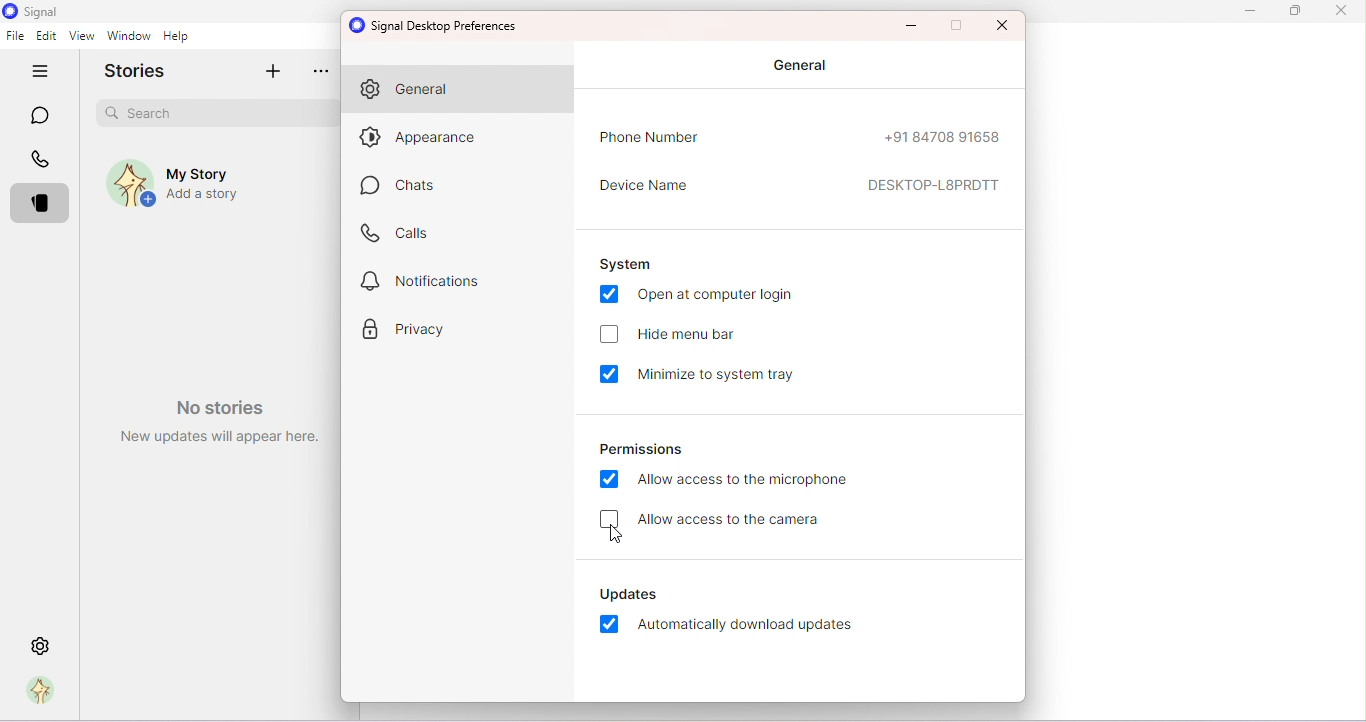 The height and width of the screenshot is (722, 1366). What do you see at coordinates (700, 300) in the screenshot?
I see `Open at computer login` at bounding box center [700, 300].